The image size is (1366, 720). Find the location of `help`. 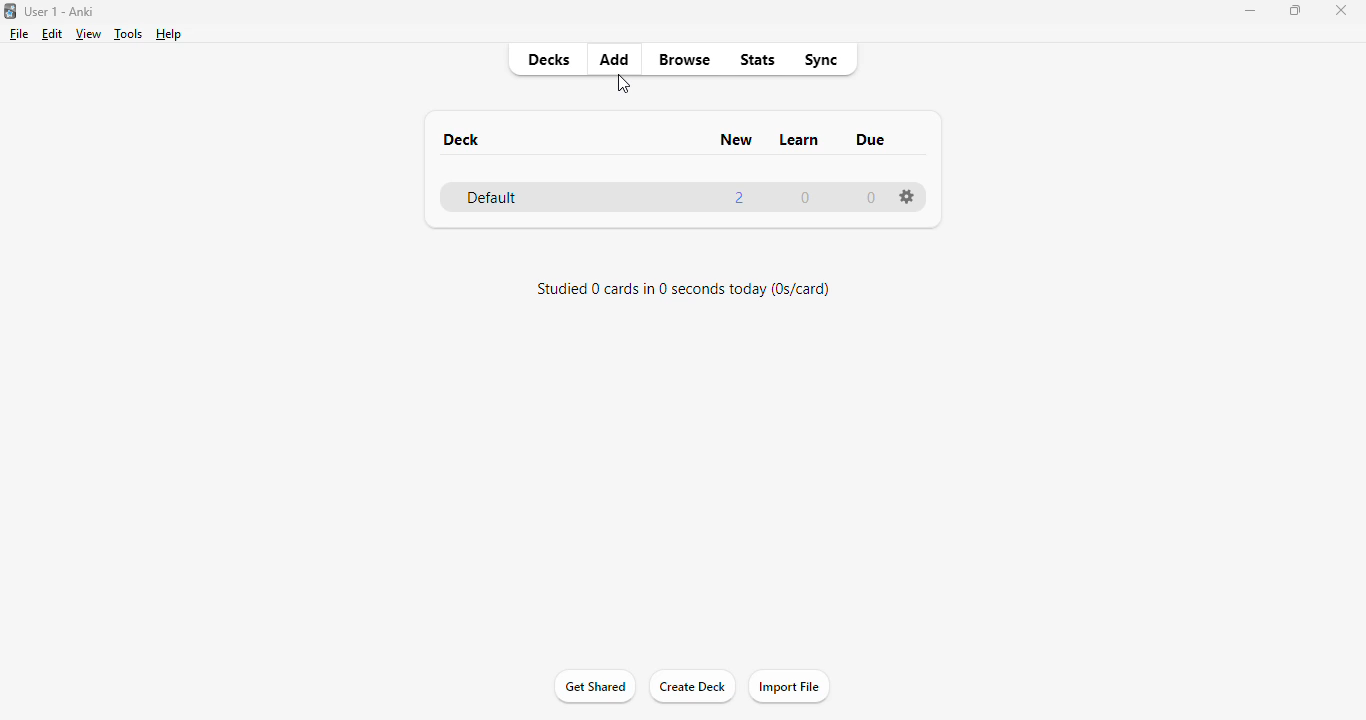

help is located at coordinates (169, 34).